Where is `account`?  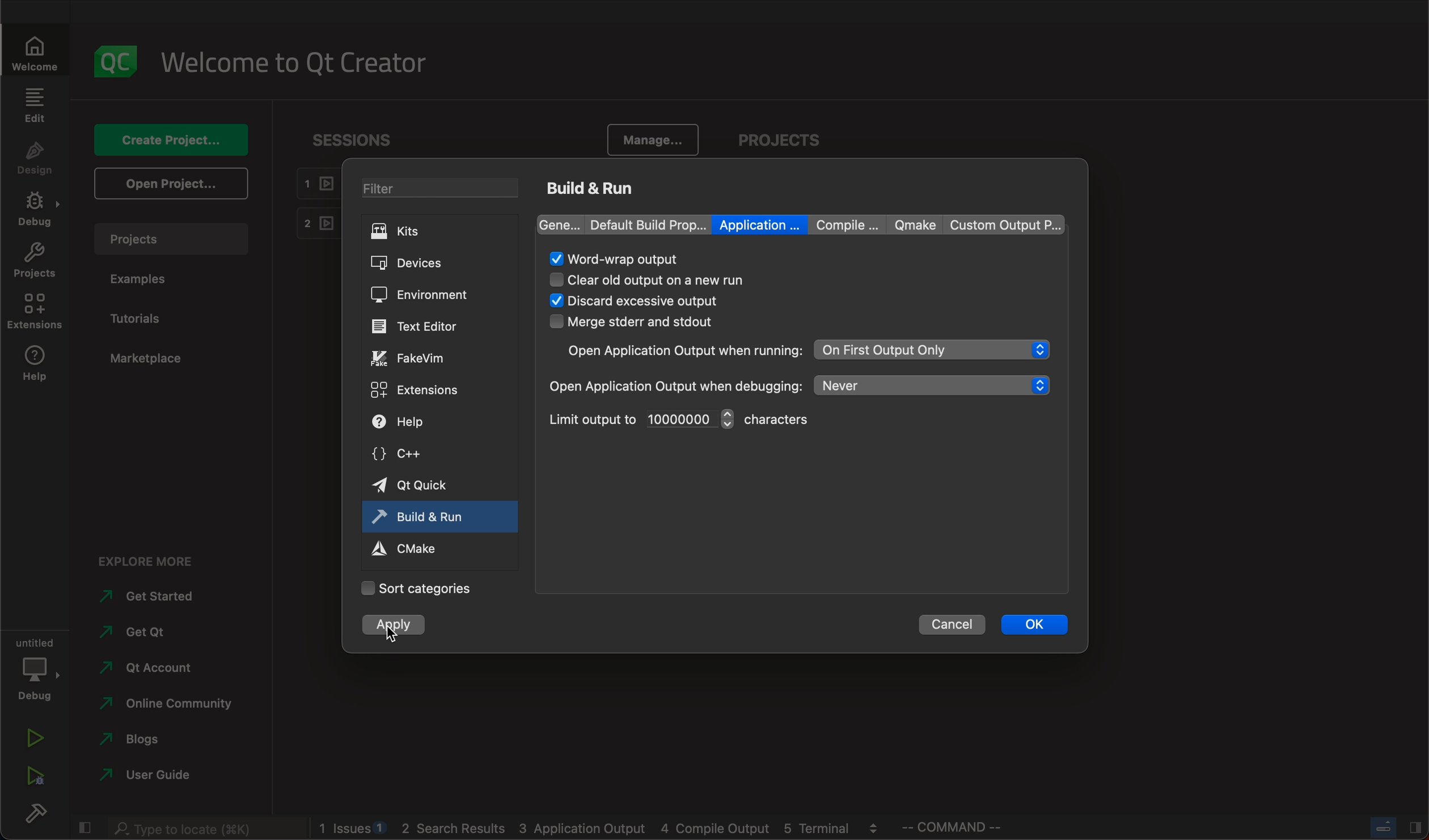 account is located at coordinates (156, 668).